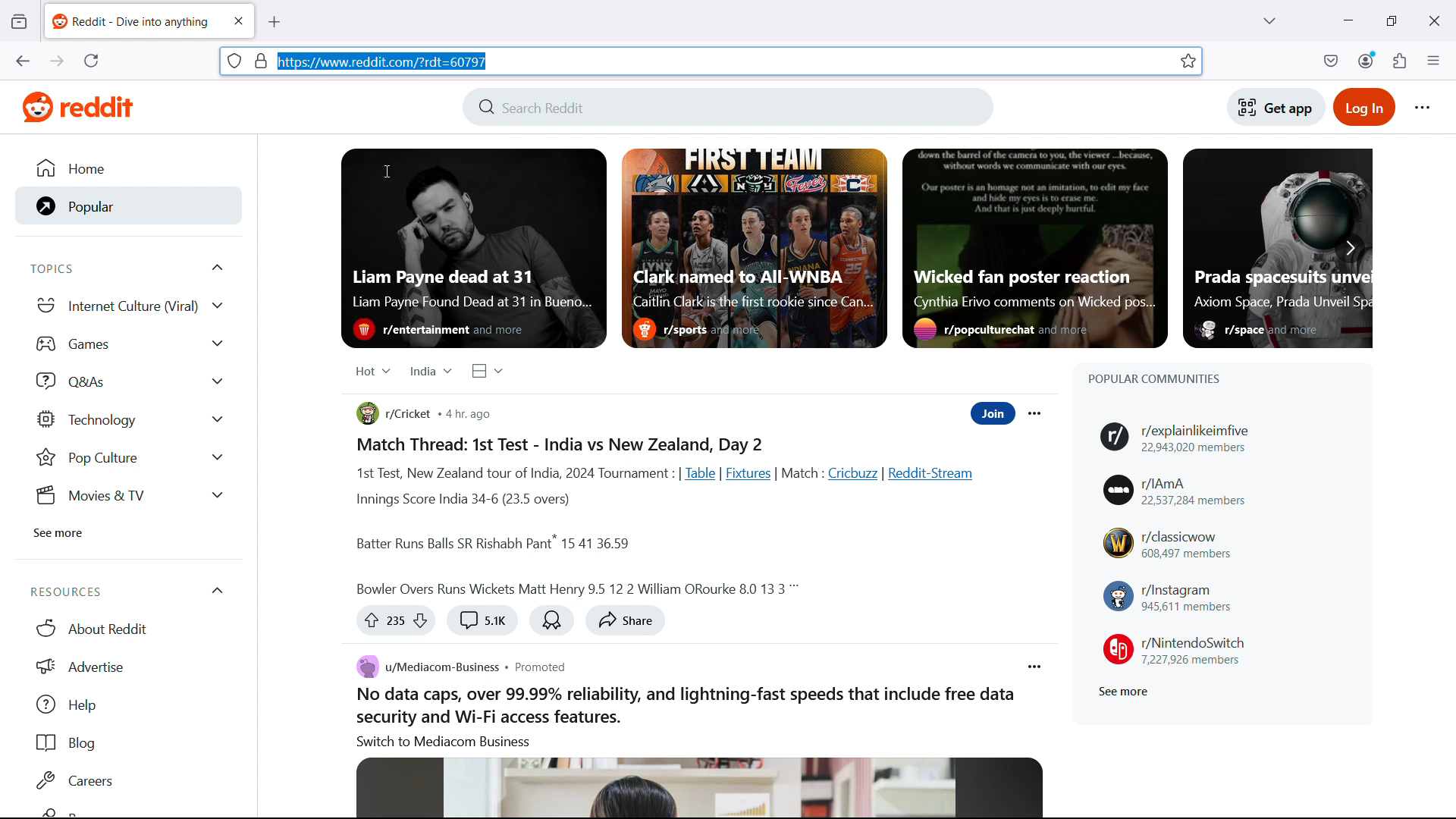 The width and height of the screenshot is (1456, 819). I want to click on Post options, so click(1036, 413).